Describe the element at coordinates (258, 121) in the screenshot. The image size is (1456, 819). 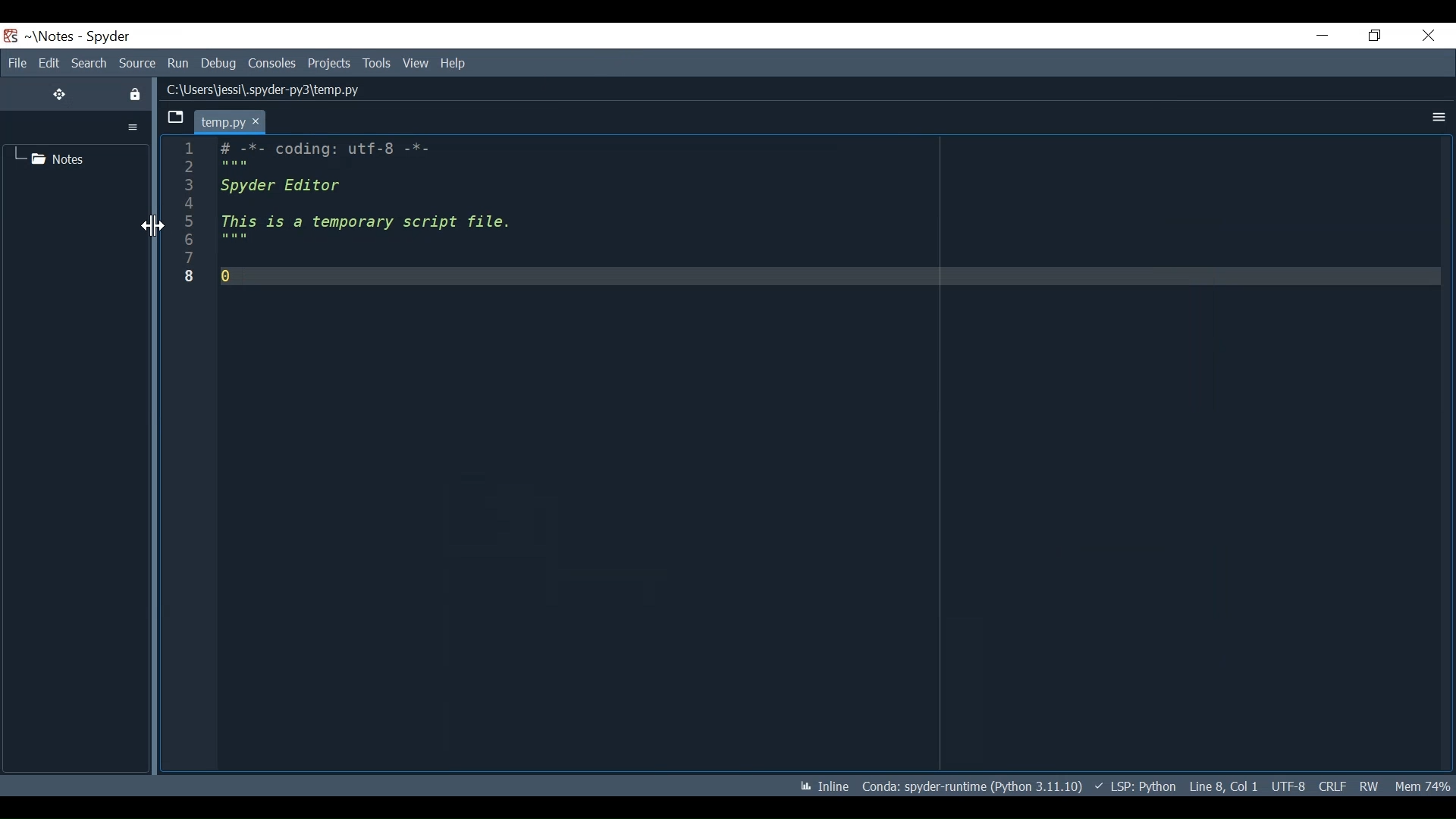
I see `cursor` at that location.